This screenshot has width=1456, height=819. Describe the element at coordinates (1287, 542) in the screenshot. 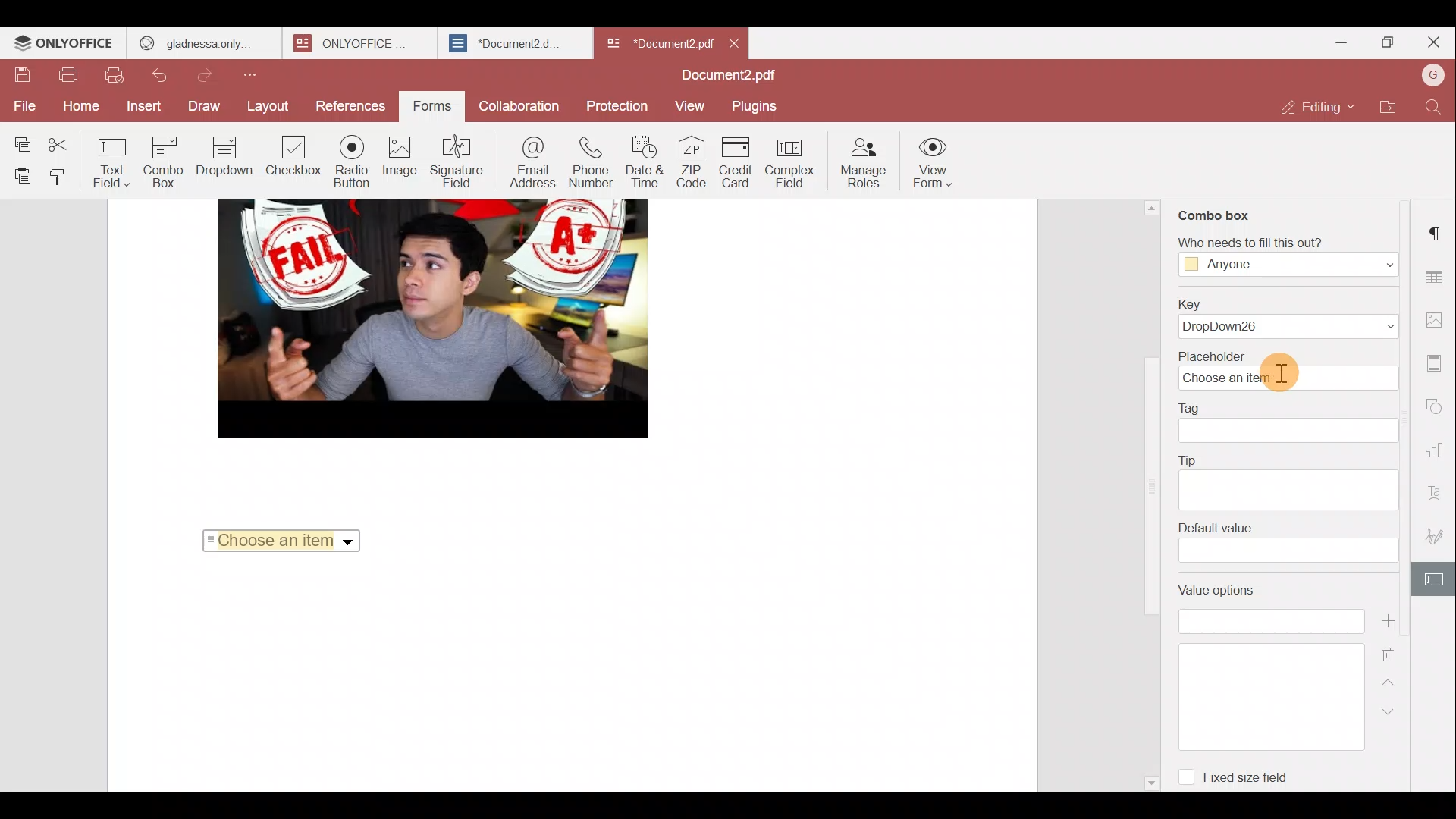

I see `Default value` at that location.